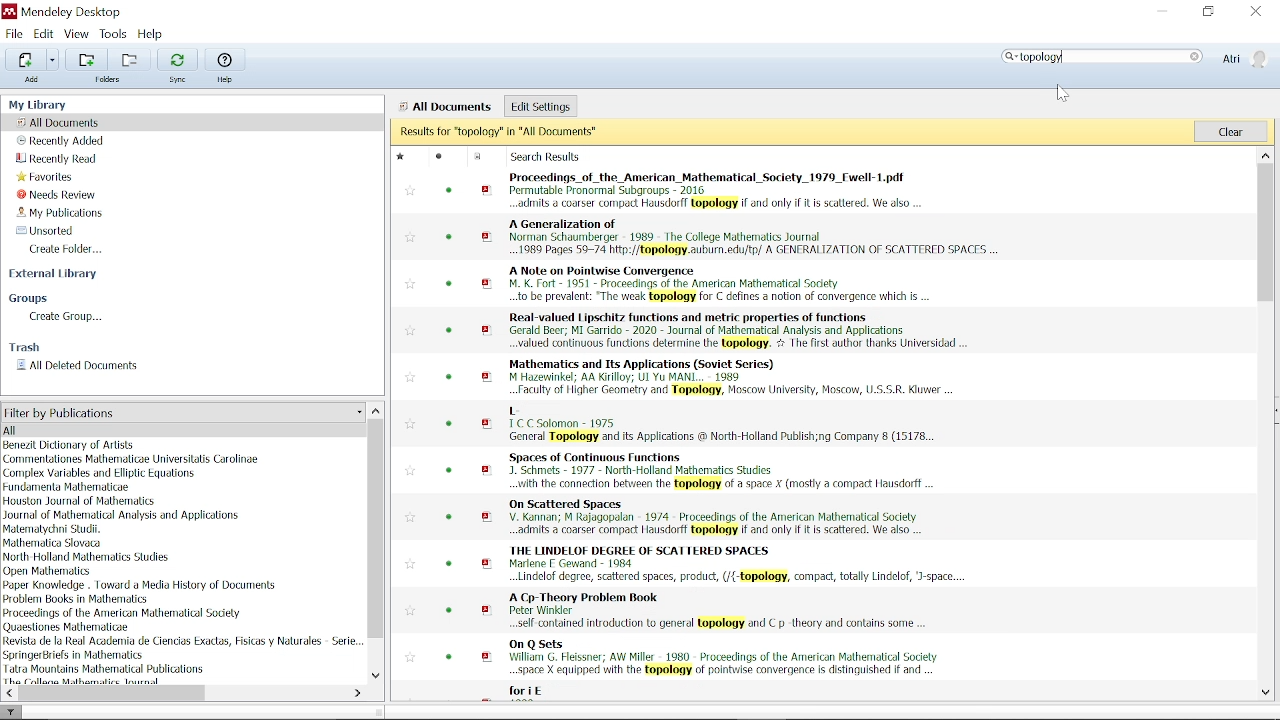  I want to click on All, so click(173, 429).